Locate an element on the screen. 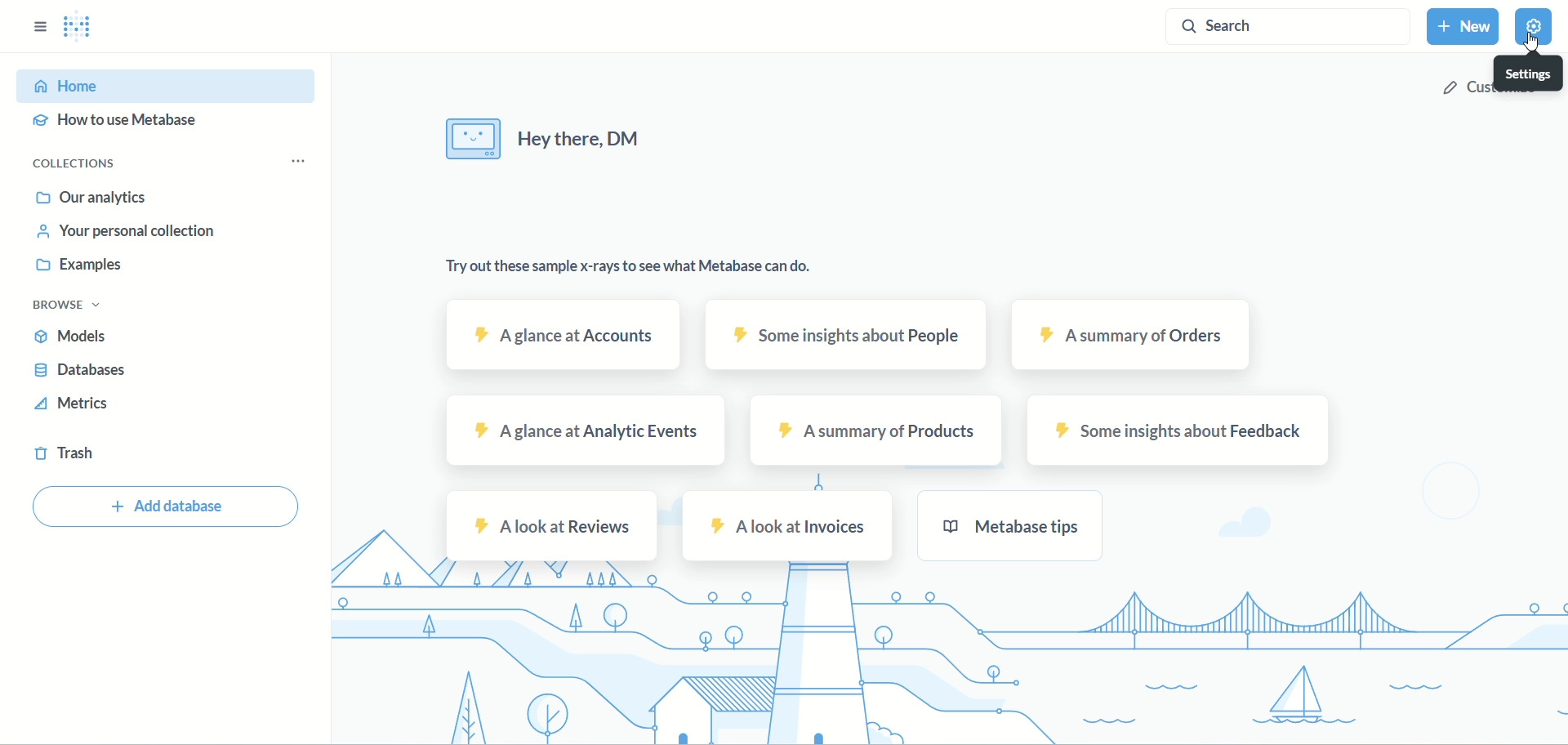  options is located at coordinates (297, 162).